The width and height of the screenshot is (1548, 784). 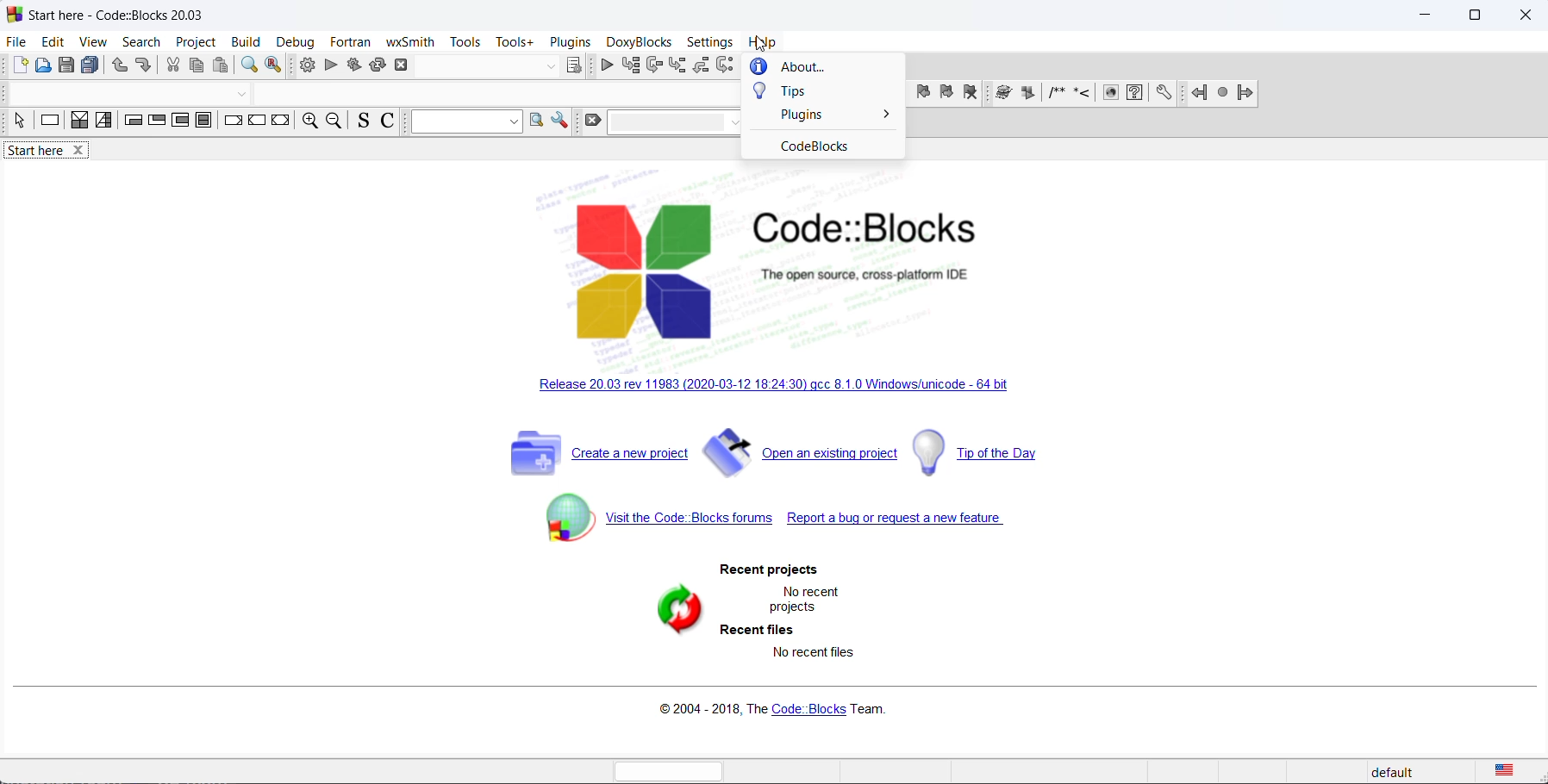 What do you see at coordinates (19, 65) in the screenshot?
I see `new file` at bounding box center [19, 65].